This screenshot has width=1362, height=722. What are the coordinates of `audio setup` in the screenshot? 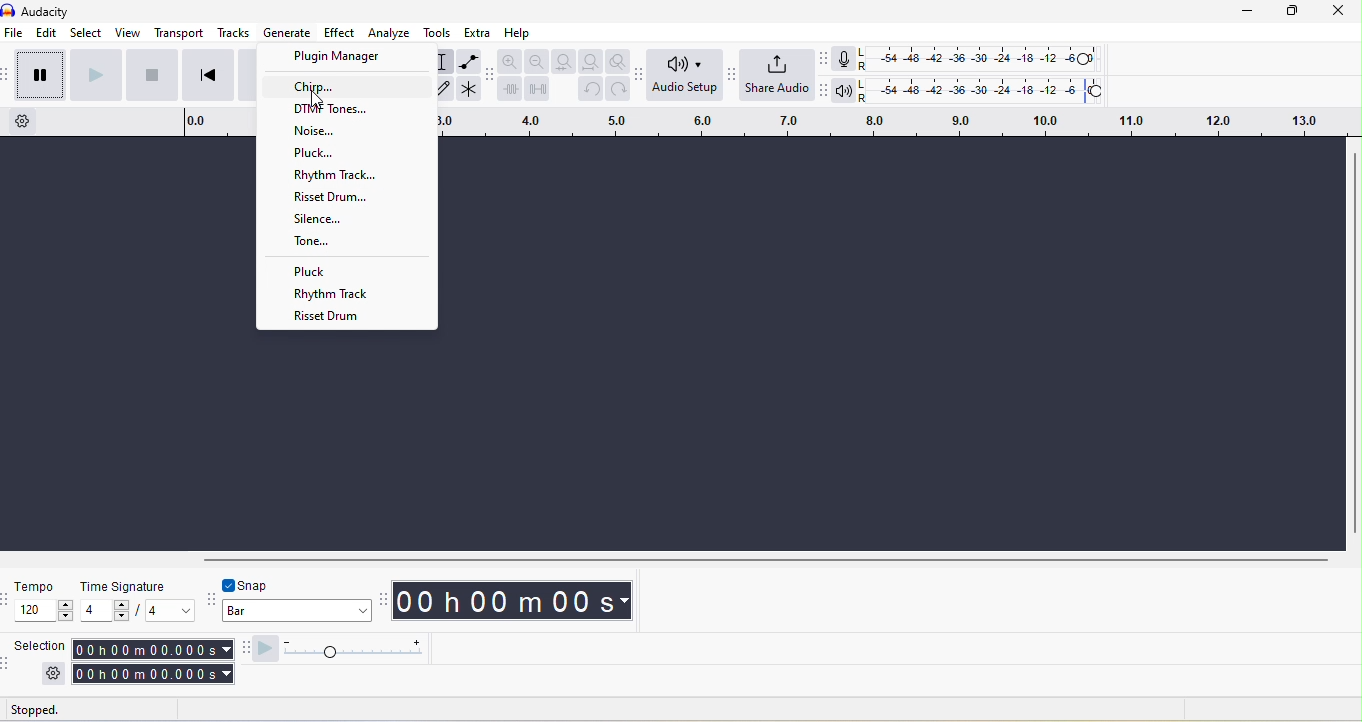 It's located at (687, 76).